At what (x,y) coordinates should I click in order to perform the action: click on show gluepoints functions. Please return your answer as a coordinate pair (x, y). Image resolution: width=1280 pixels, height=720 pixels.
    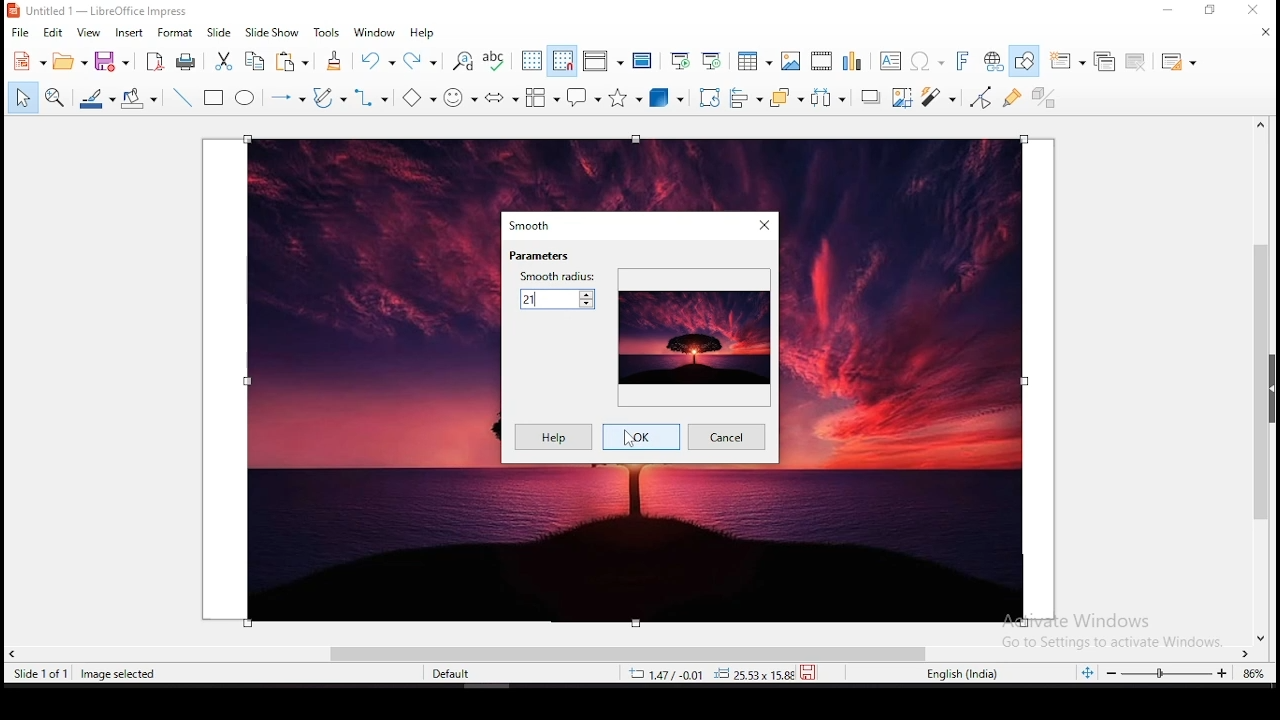
    Looking at the image, I should click on (1010, 98).